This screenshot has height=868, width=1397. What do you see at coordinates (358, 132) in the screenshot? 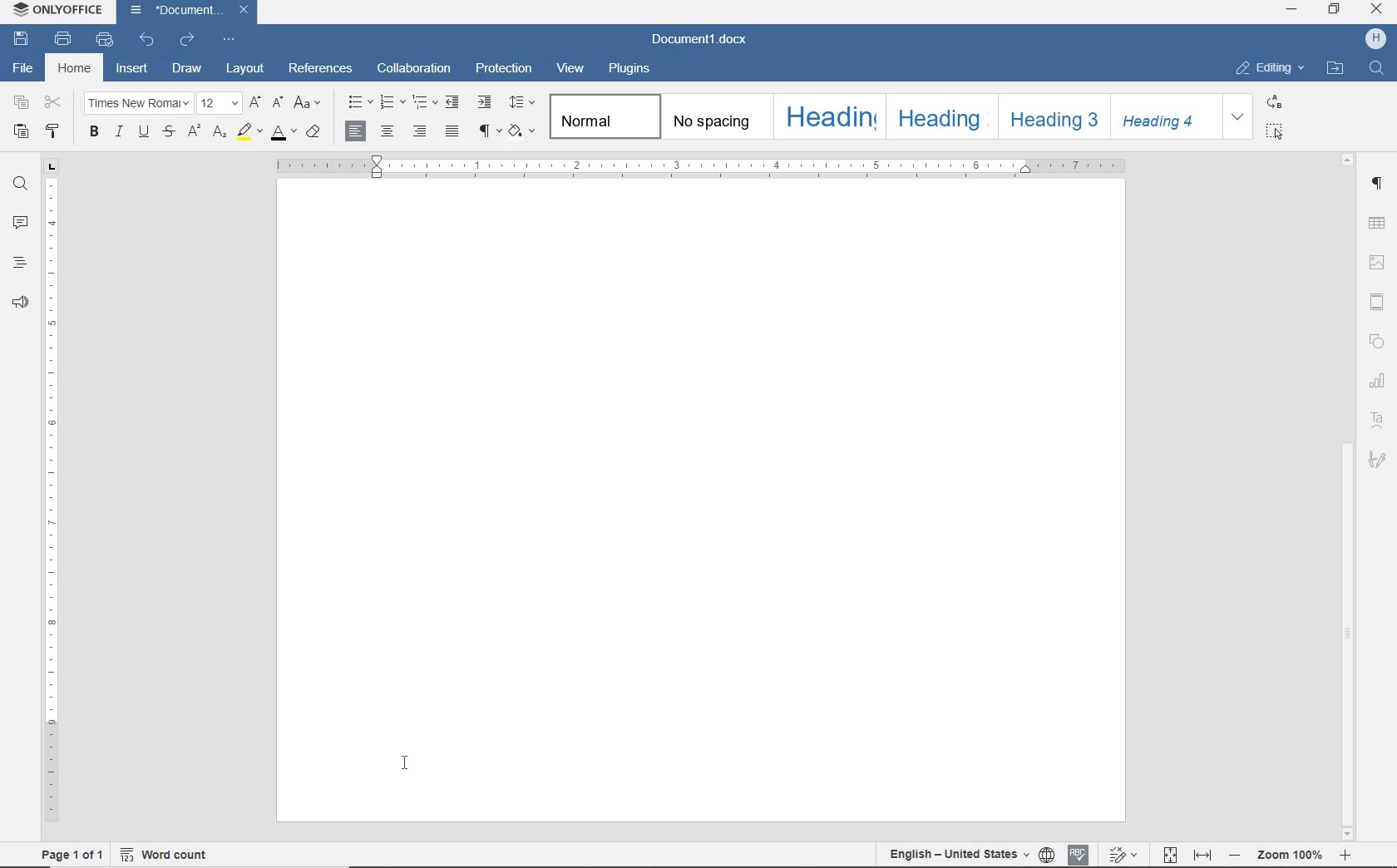
I see `ALIGN LEFT` at bounding box center [358, 132].